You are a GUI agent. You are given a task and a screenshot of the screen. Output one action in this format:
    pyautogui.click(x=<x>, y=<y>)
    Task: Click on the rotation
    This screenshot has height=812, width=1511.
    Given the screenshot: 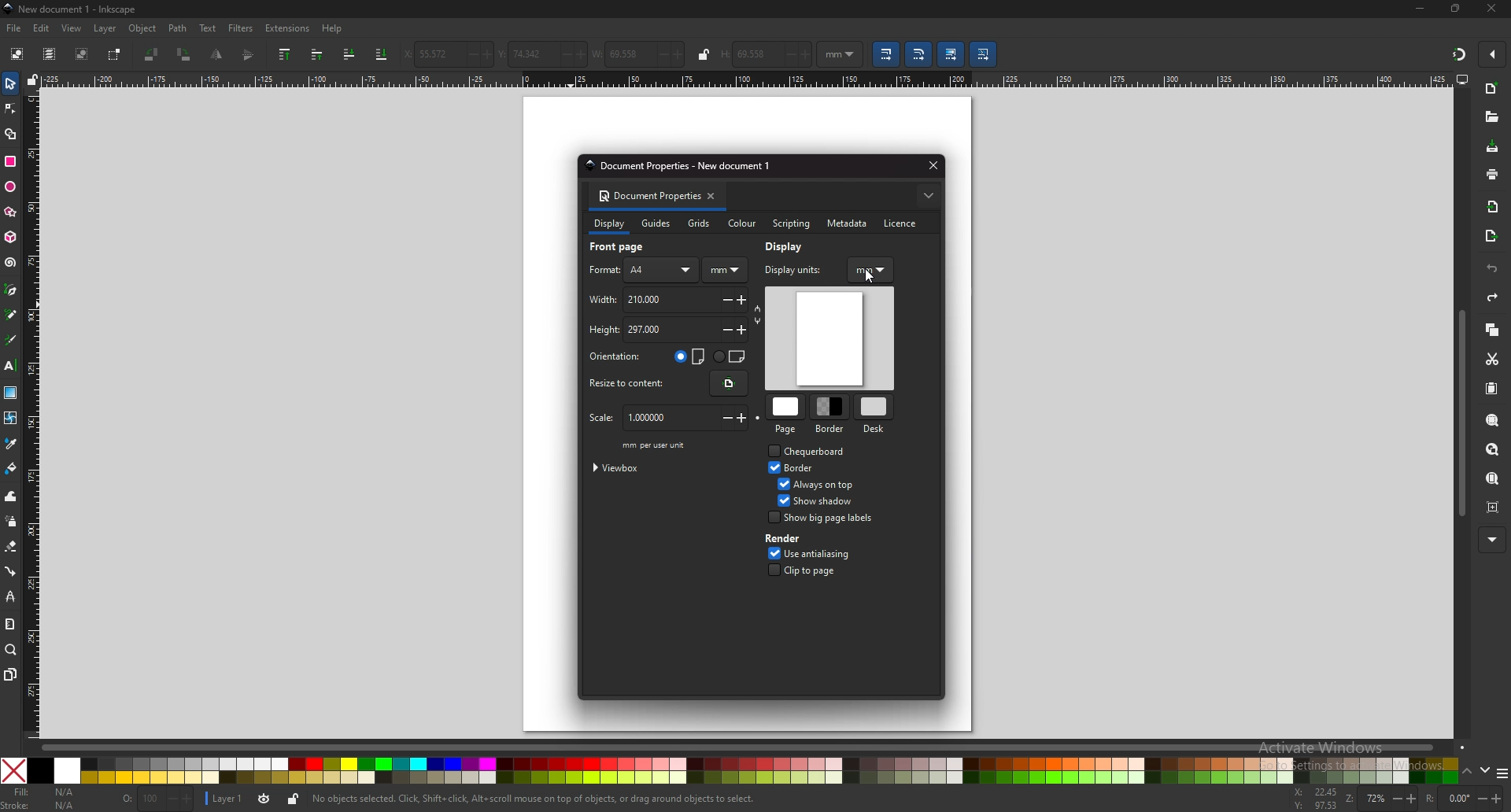 What is the action you would take?
    pyautogui.click(x=1446, y=799)
    